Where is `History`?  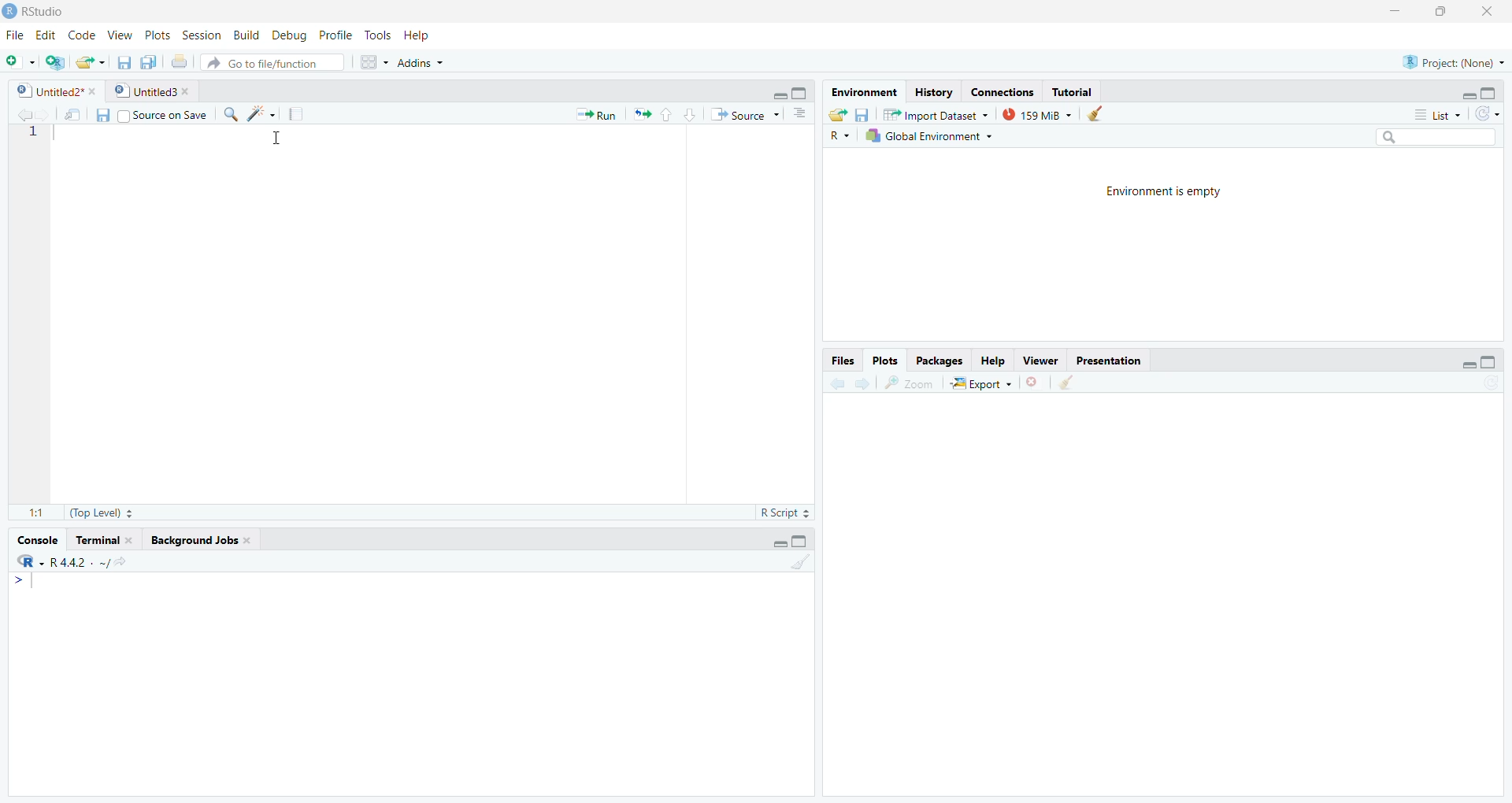 History is located at coordinates (935, 92).